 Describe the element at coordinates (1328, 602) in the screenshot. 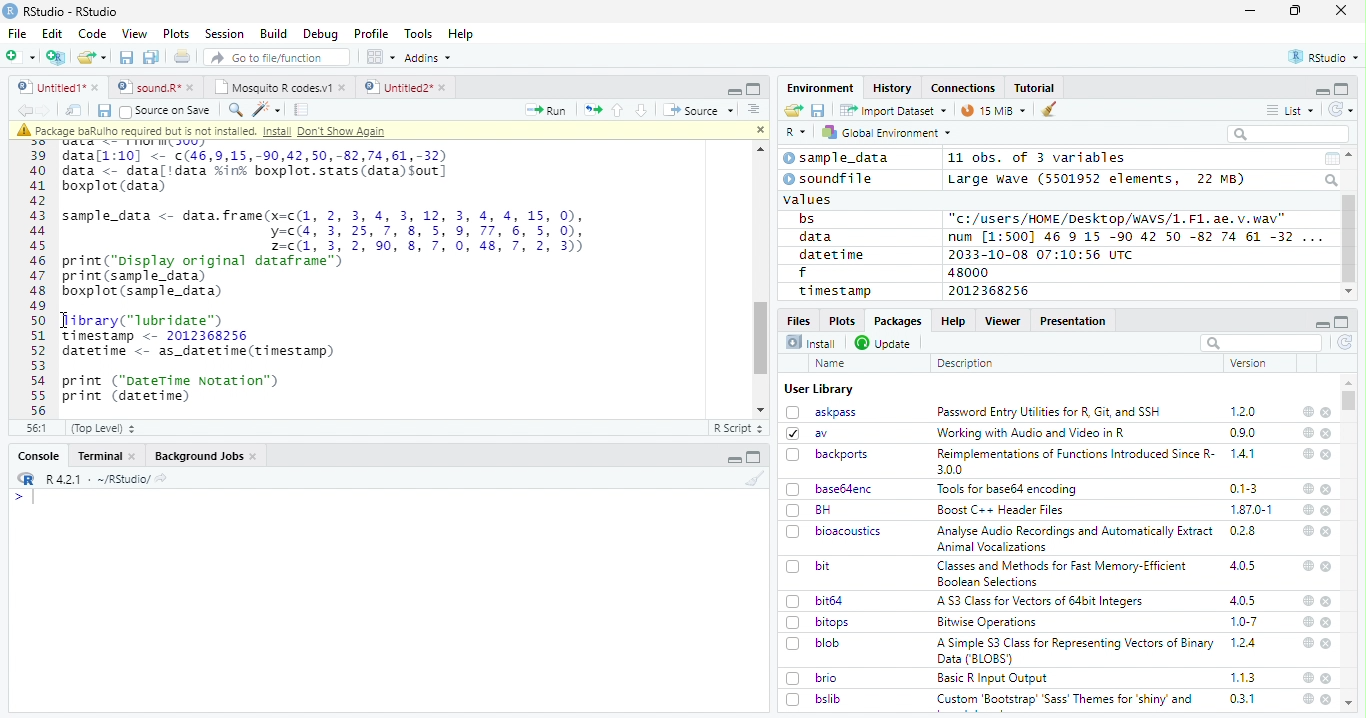

I see `close` at that location.